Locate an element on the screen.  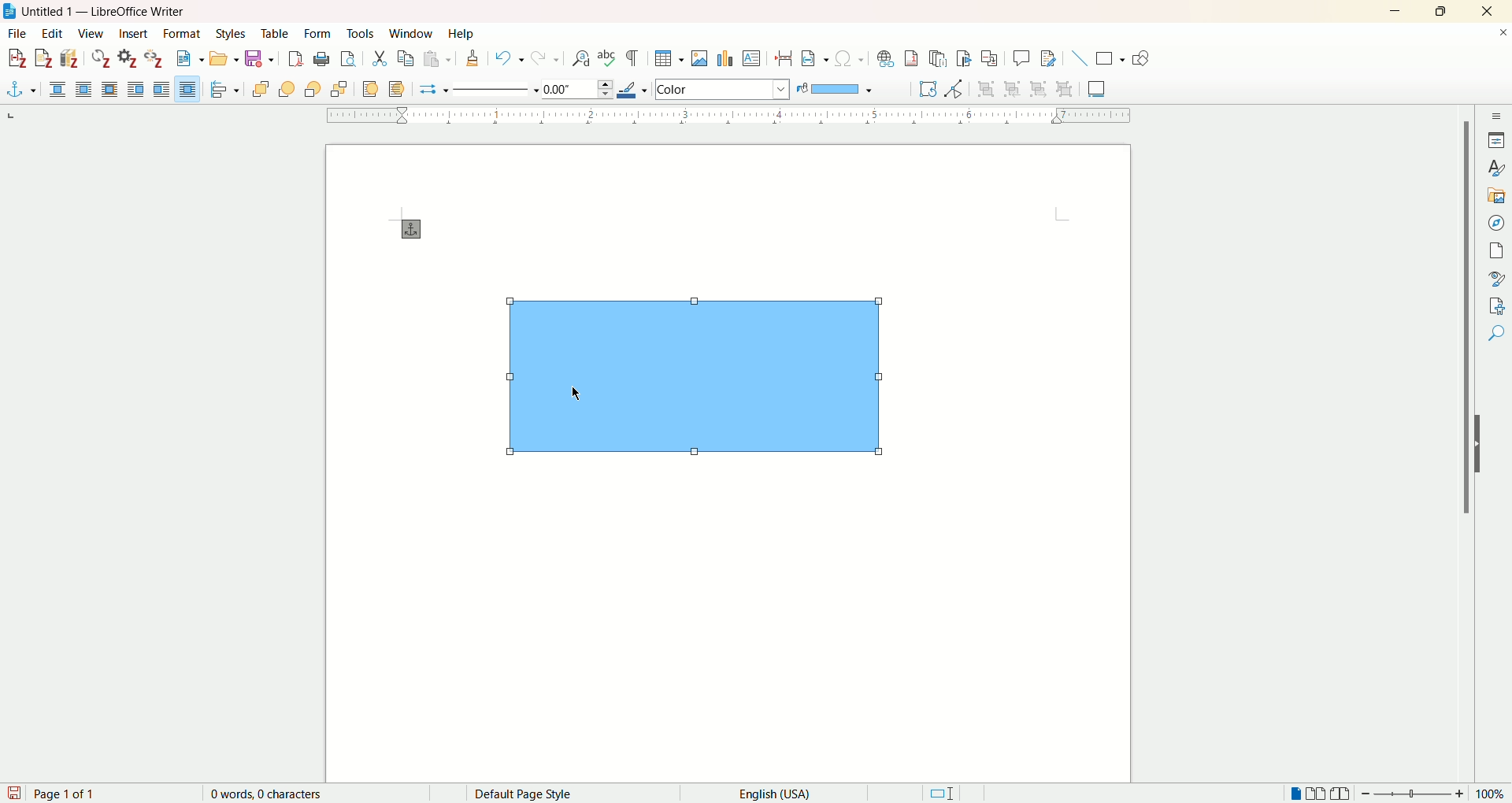
track changes is located at coordinates (1052, 57).